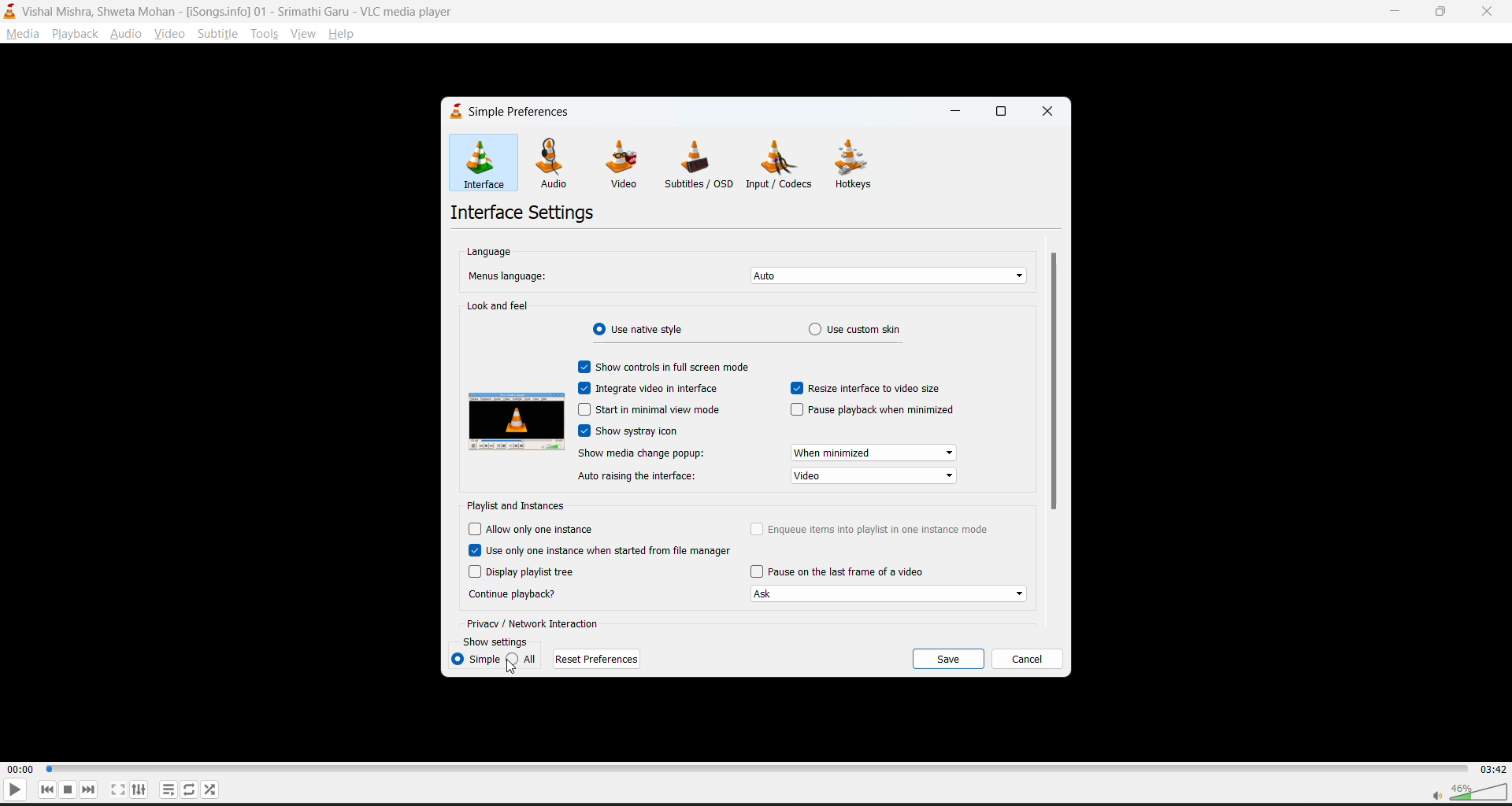 The width and height of the screenshot is (1512, 806). I want to click on next, so click(86, 790).